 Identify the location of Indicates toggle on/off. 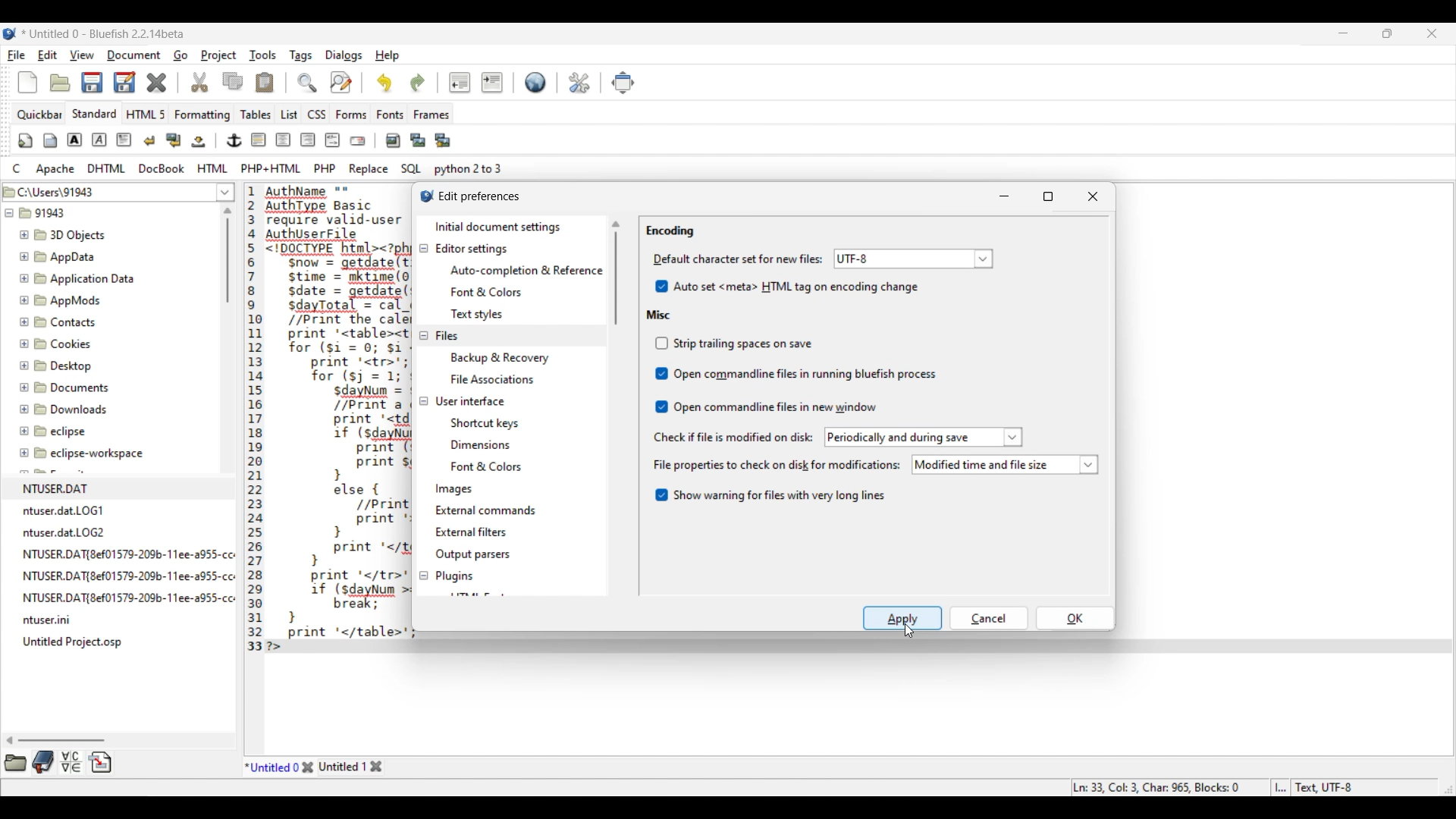
(662, 375).